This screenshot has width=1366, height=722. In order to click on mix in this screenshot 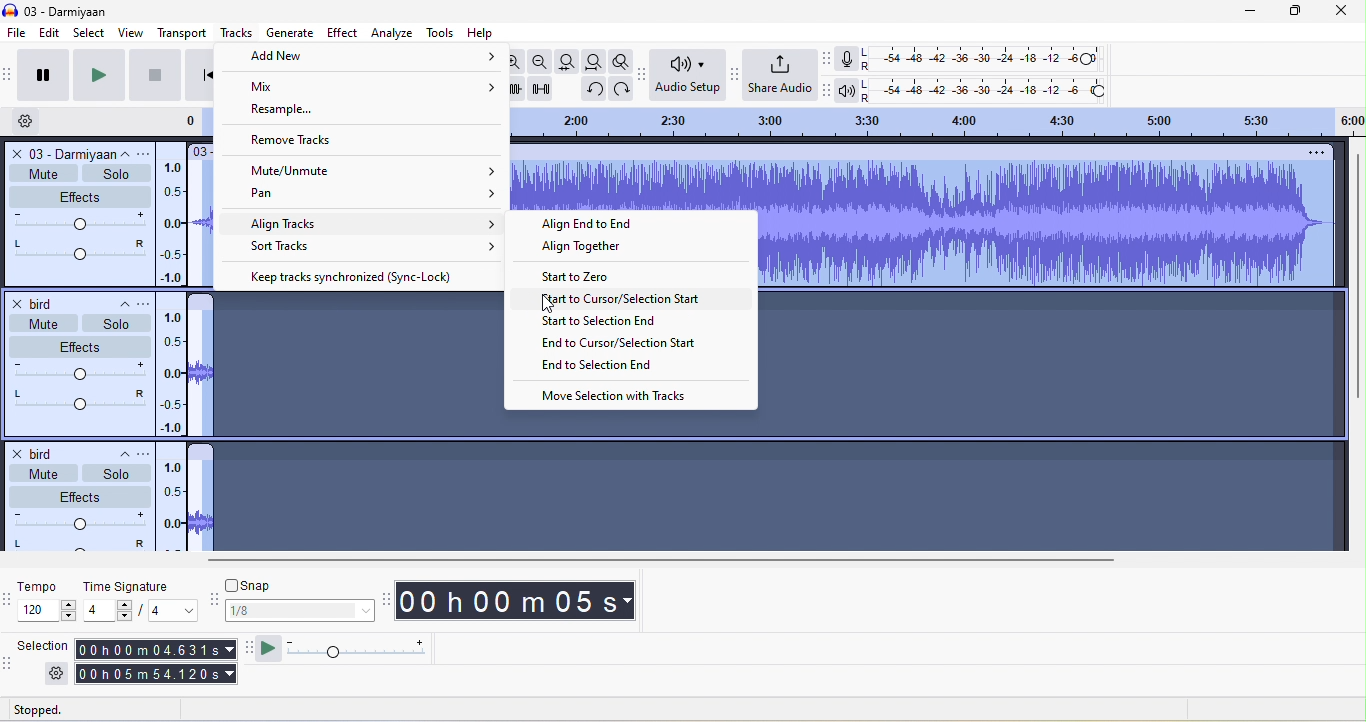, I will do `click(360, 87)`.